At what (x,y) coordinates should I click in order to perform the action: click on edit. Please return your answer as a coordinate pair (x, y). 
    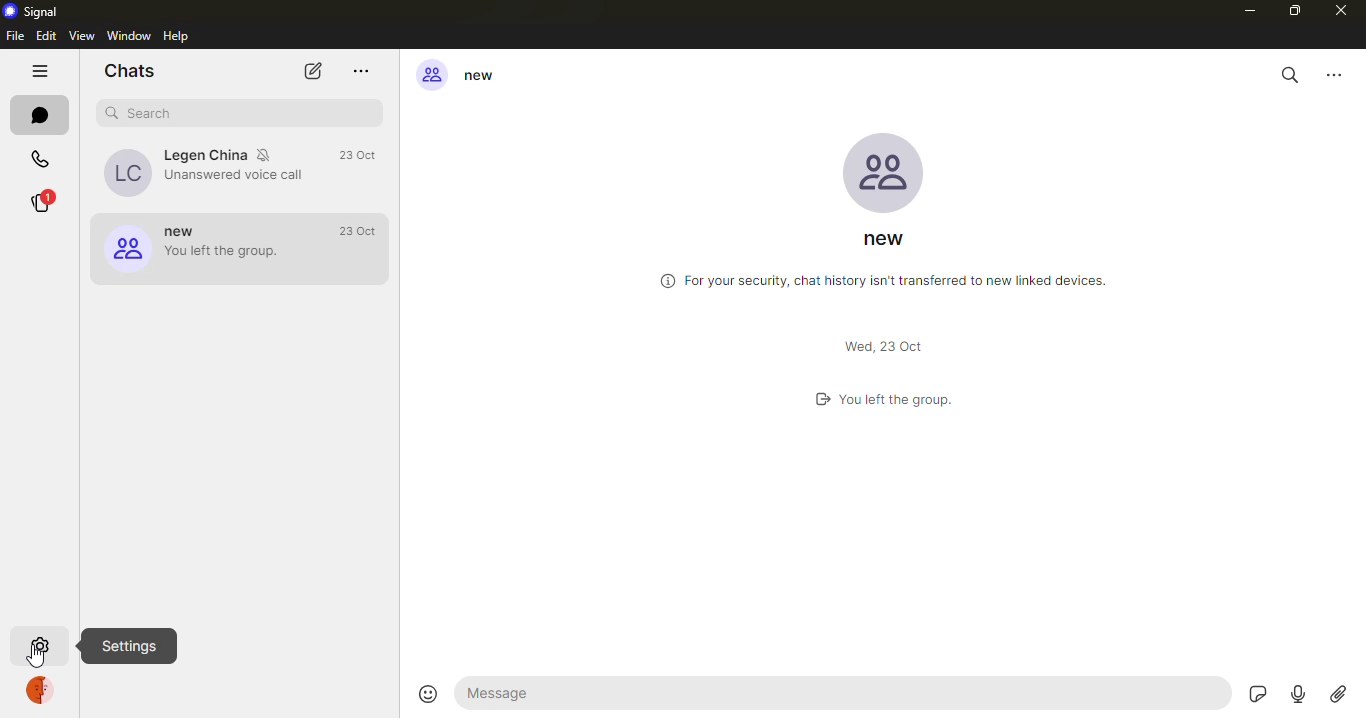
    Looking at the image, I should click on (45, 35).